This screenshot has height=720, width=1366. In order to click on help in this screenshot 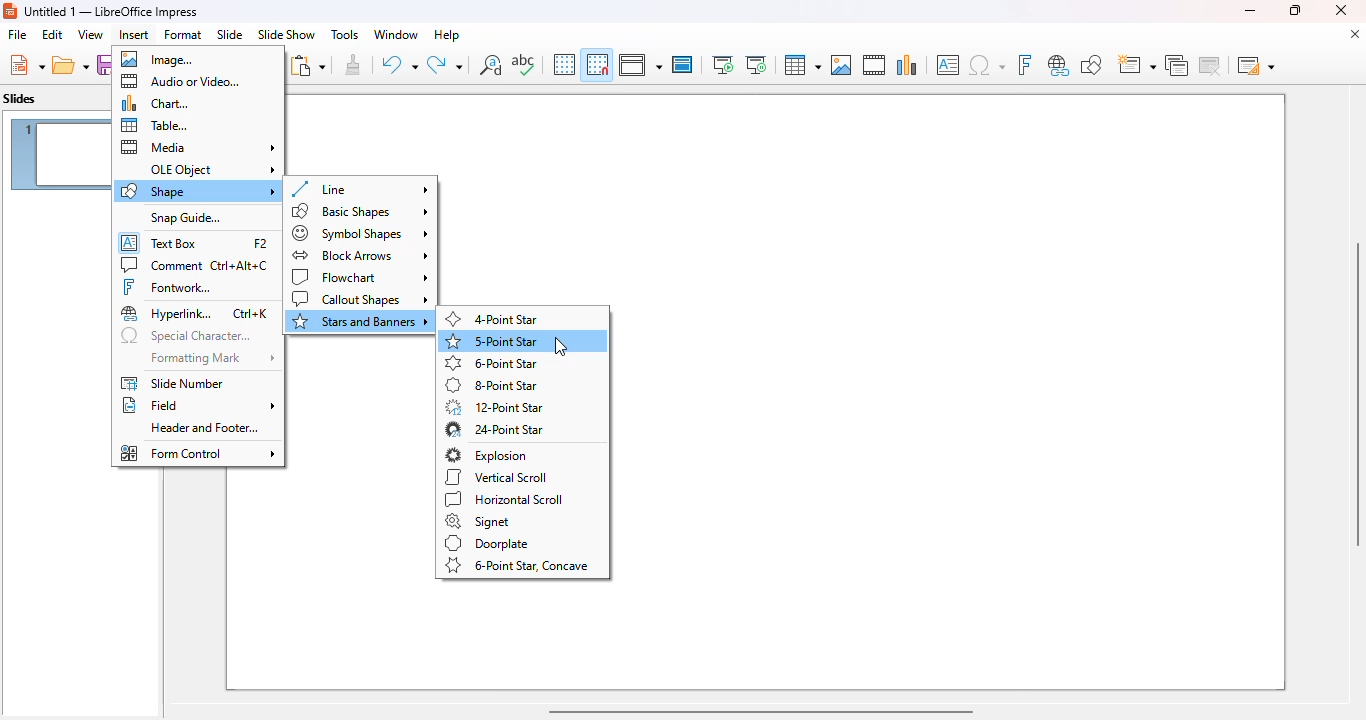, I will do `click(447, 34)`.